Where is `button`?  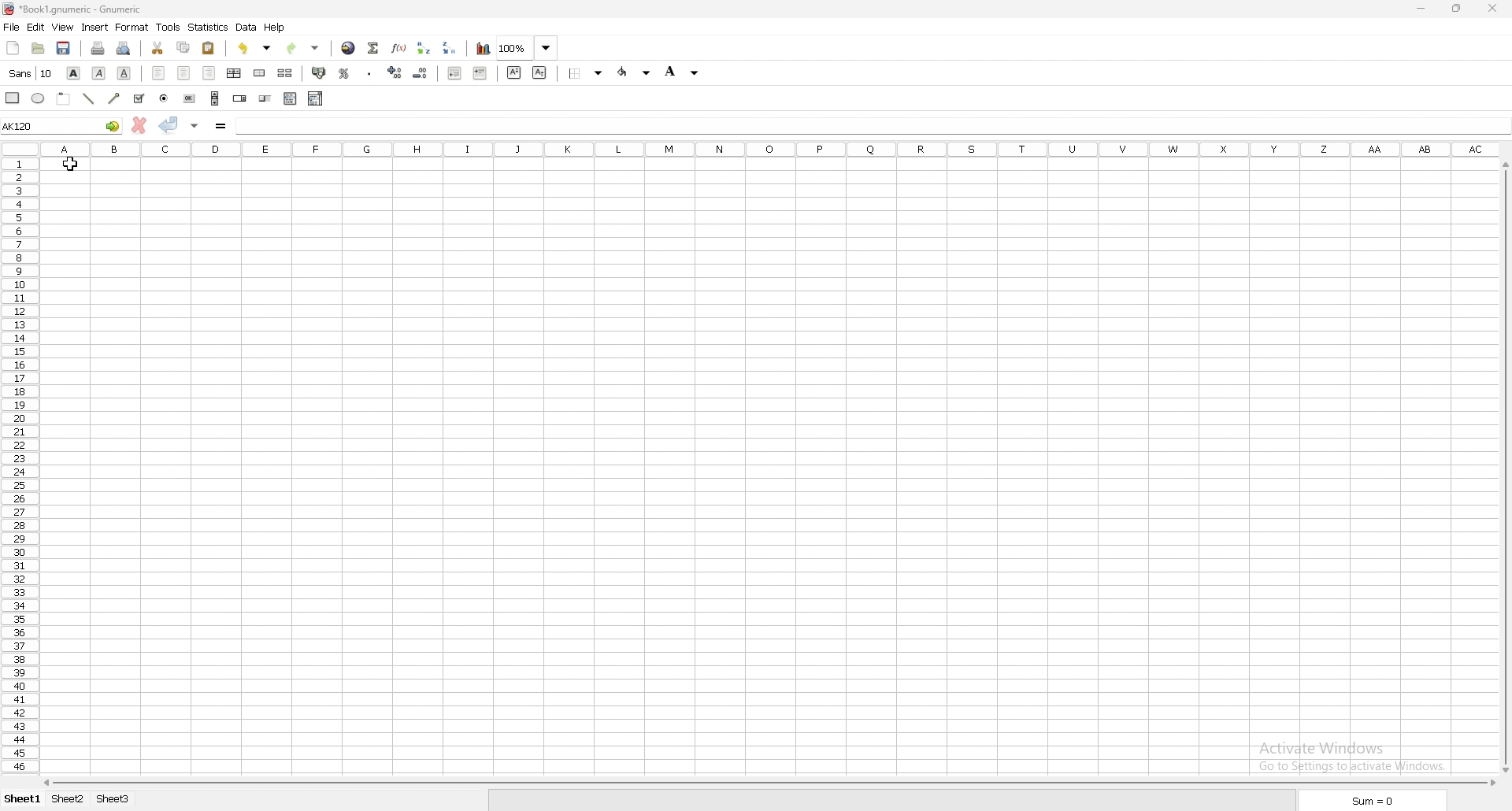 button is located at coordinates (188, 98).